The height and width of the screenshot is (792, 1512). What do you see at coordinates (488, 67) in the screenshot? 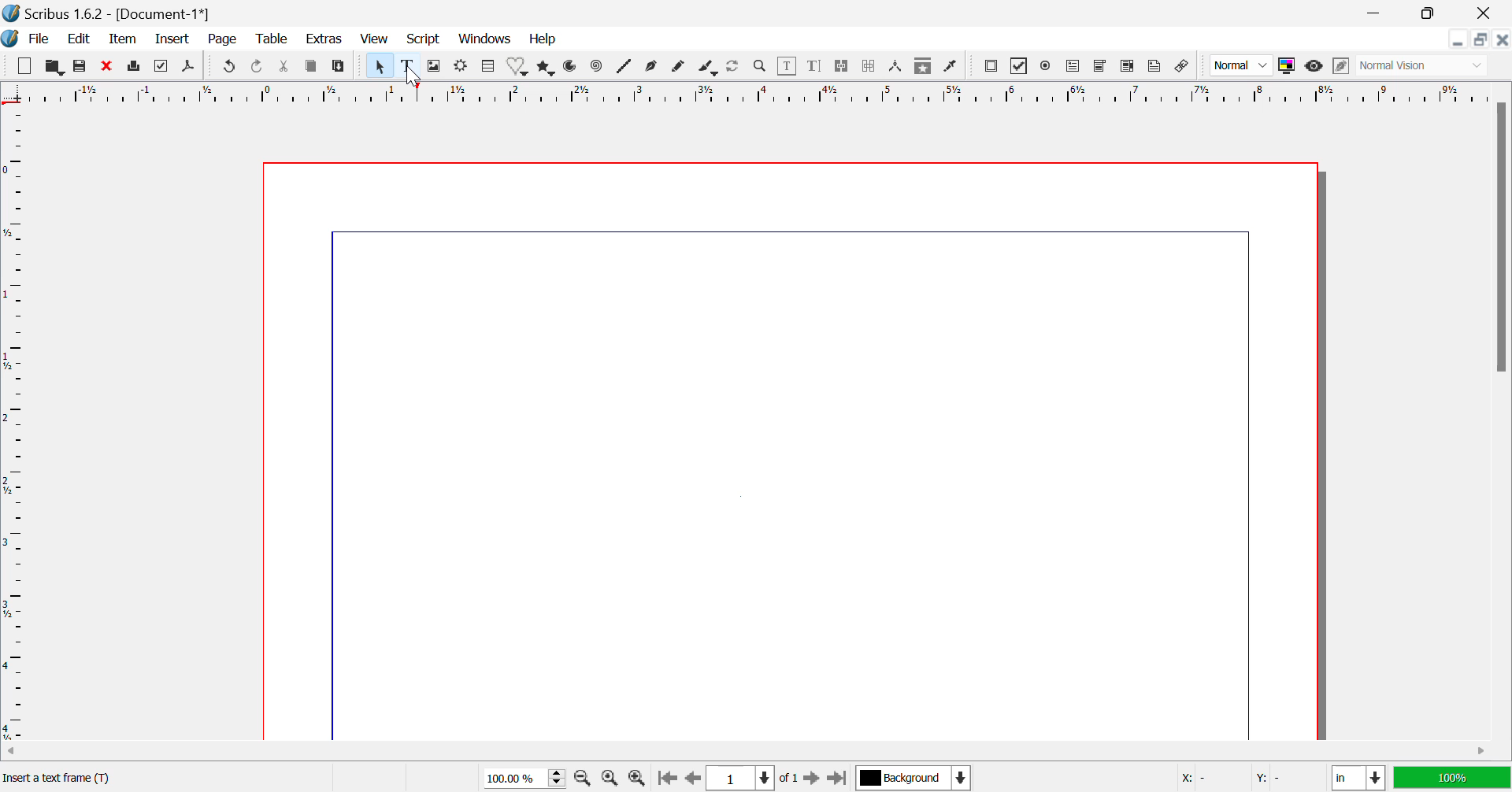
I see `Table` at bounding box center [488, 67].